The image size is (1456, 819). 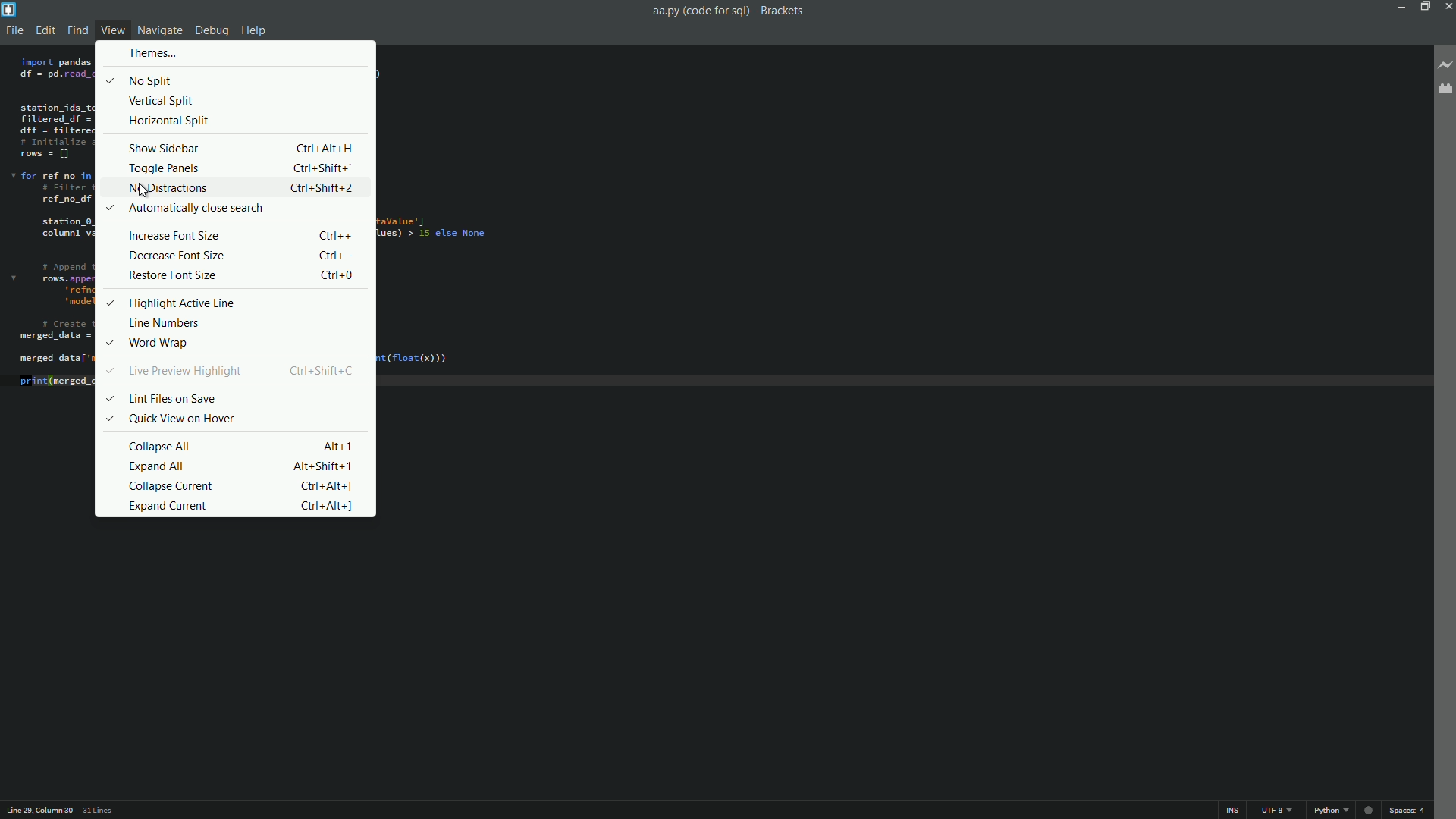 What do you see at coordinates (240, 80) in the screenshot?
I see `no split ` at bounding box center [240, 80].